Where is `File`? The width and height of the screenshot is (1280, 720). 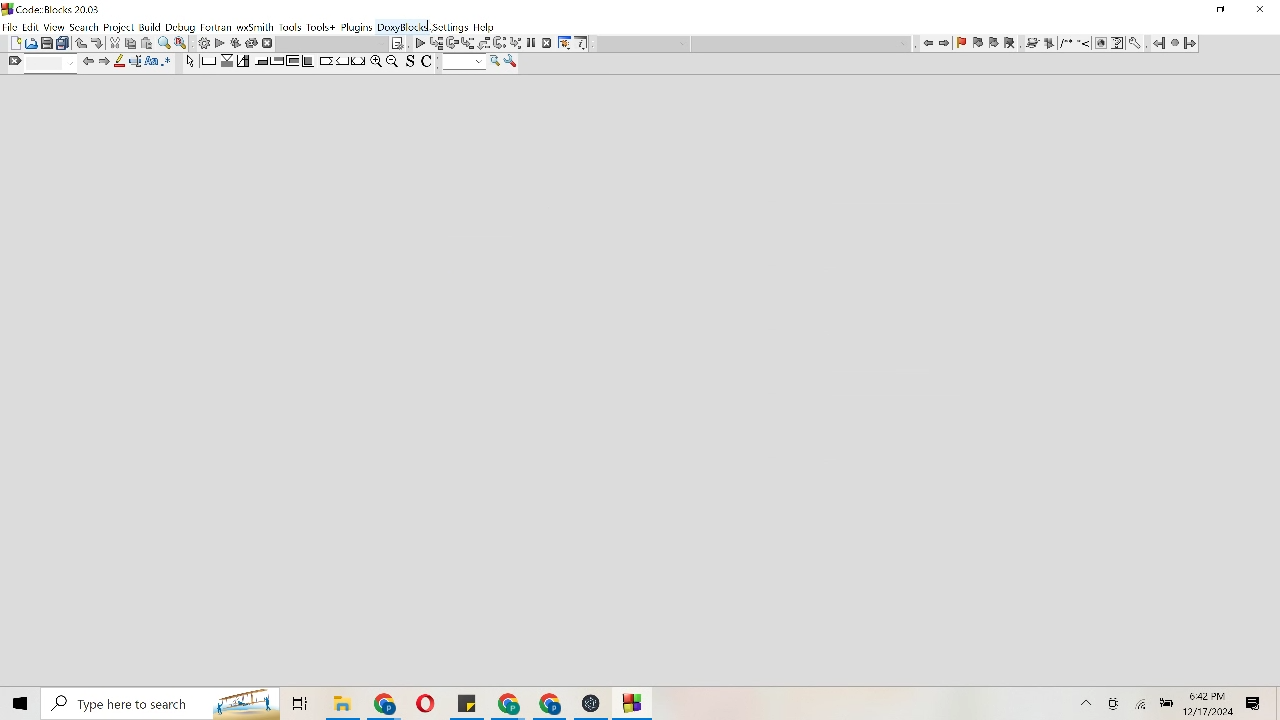
File is located at coordinates (467, 703).